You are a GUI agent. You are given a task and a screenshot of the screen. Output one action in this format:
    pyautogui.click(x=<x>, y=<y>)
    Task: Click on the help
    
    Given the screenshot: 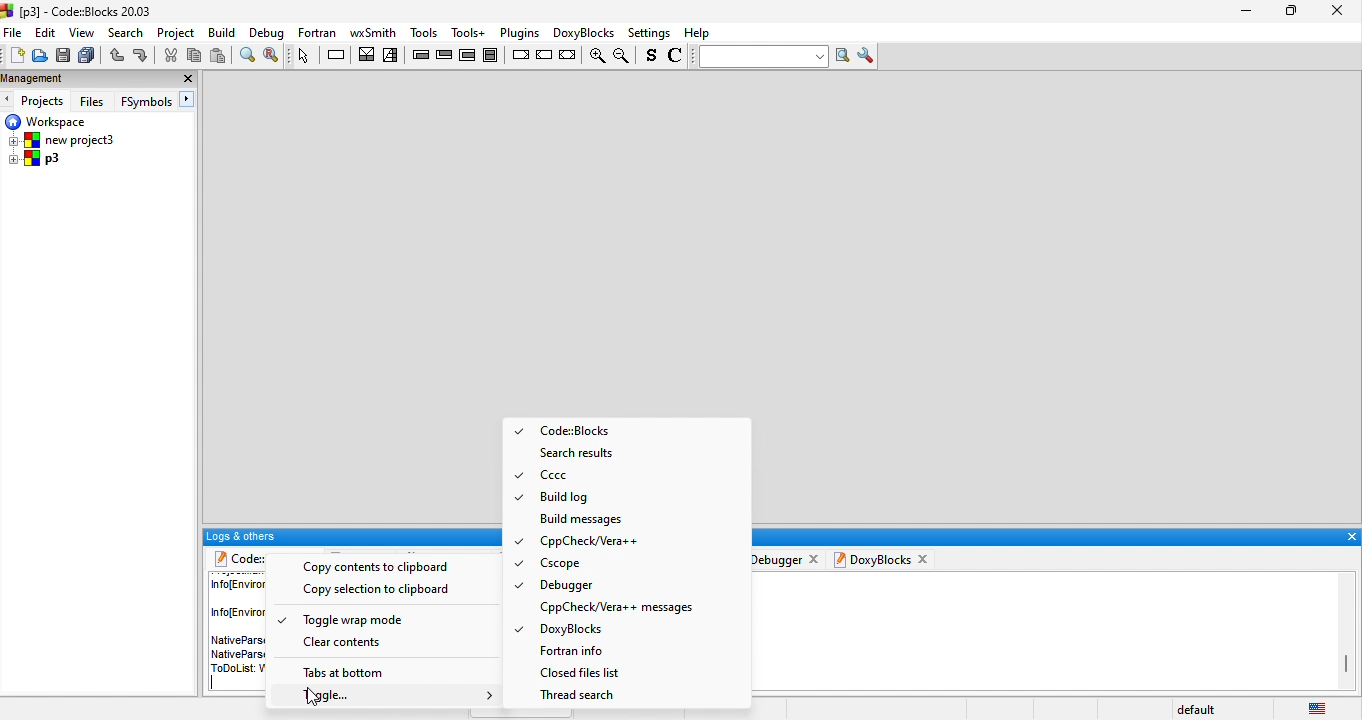 What is the action you would take?
    pyautogui.click(x=700, y=33)
    